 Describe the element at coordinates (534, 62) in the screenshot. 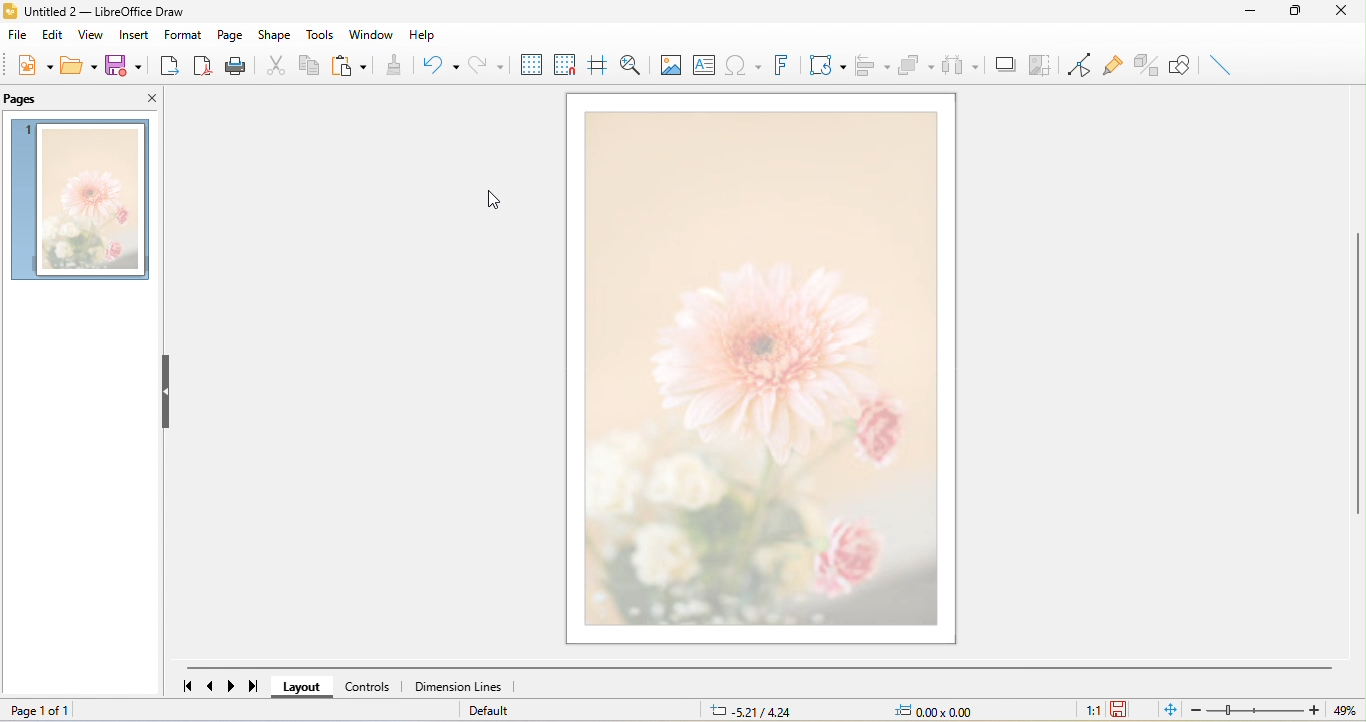

I see `display to grid` at that location.